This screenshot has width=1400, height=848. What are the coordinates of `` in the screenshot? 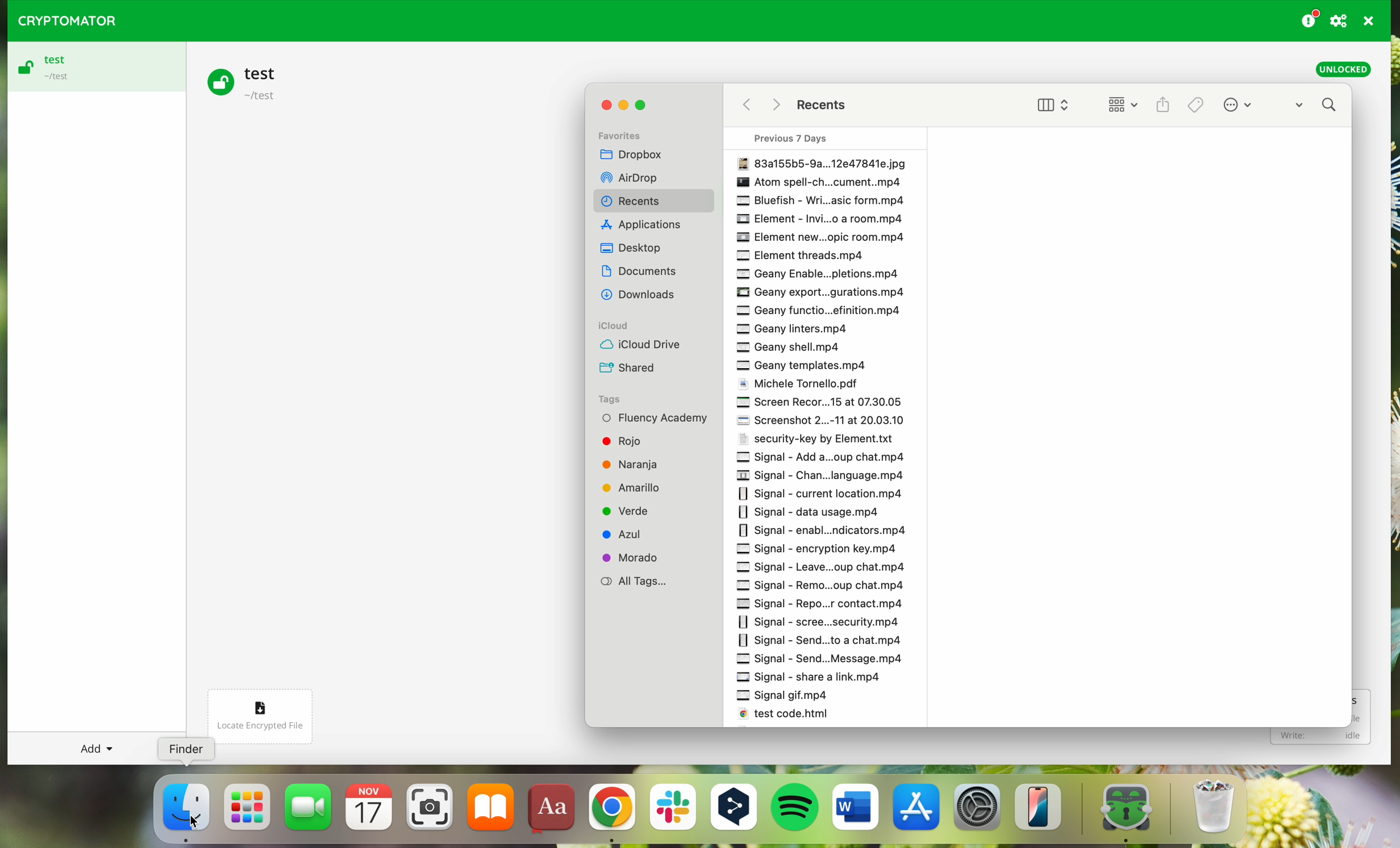 It's located at (821, 181).